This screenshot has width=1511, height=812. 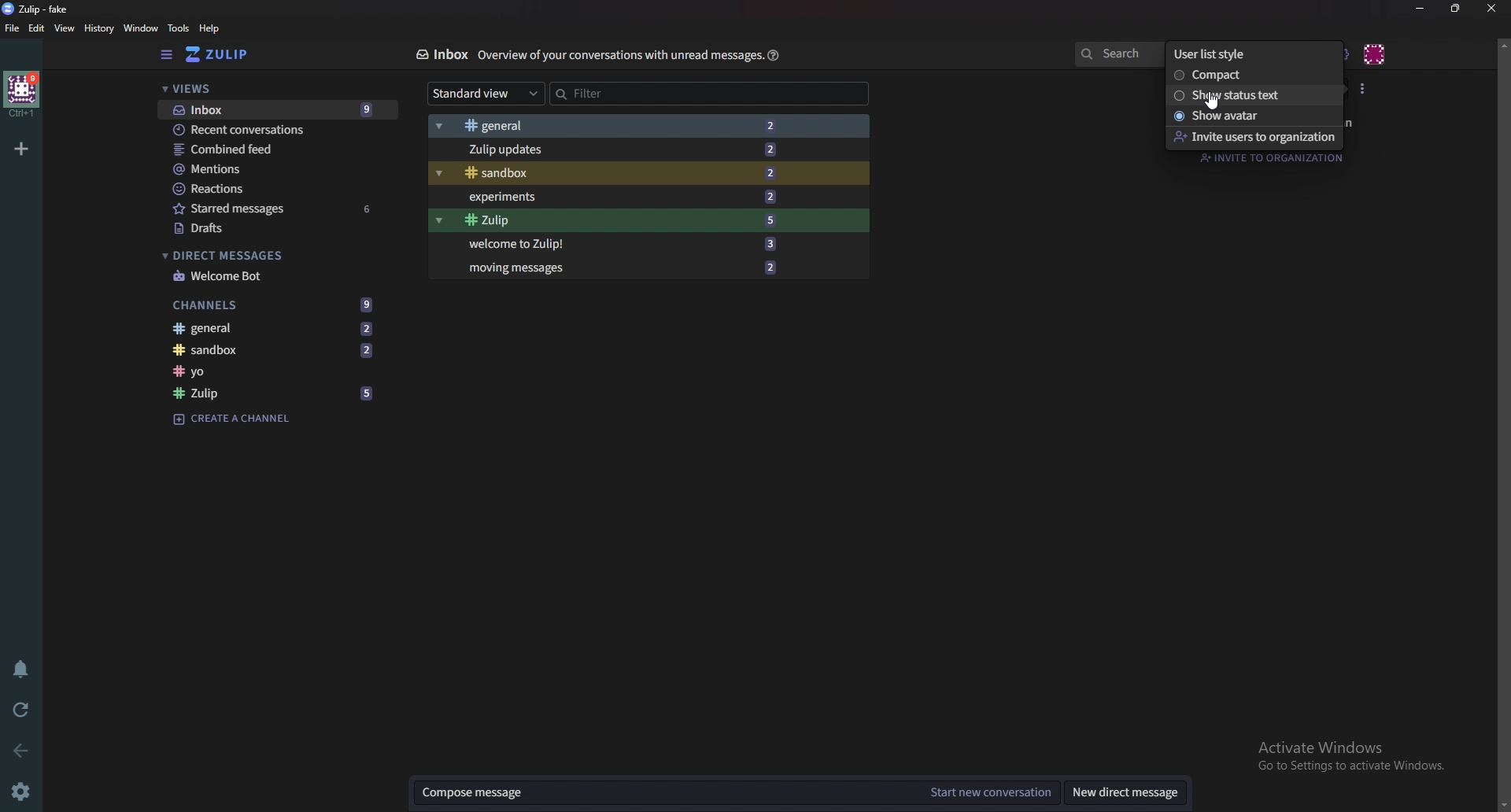 I want to click on channel, so click(x=276, y=372).